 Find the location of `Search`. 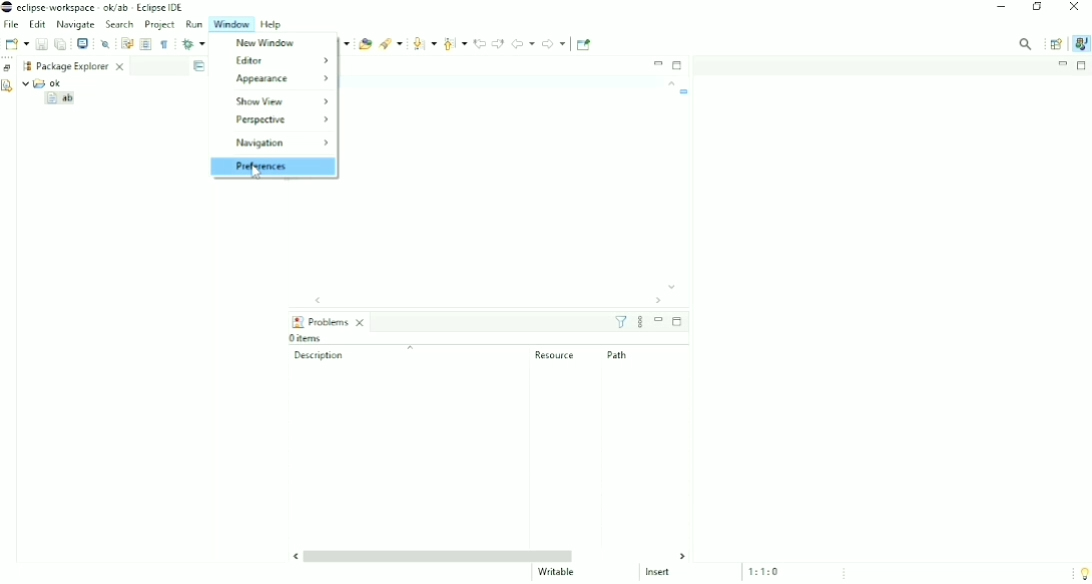

Search is located at coordinates (121, 25).